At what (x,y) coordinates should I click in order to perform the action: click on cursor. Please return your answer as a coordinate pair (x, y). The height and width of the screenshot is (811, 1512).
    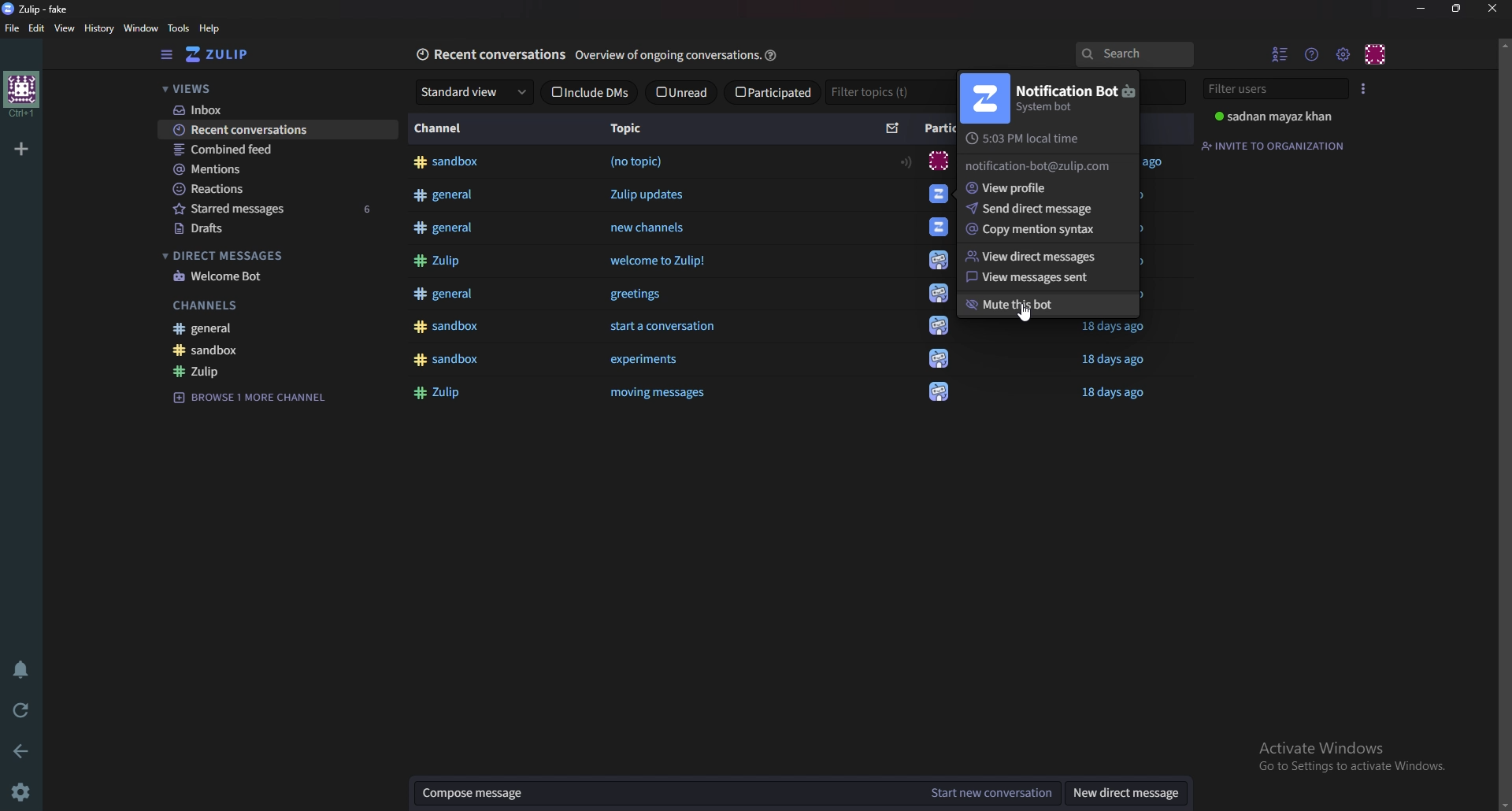
    Looking at the image, I should click on (1026, 315).